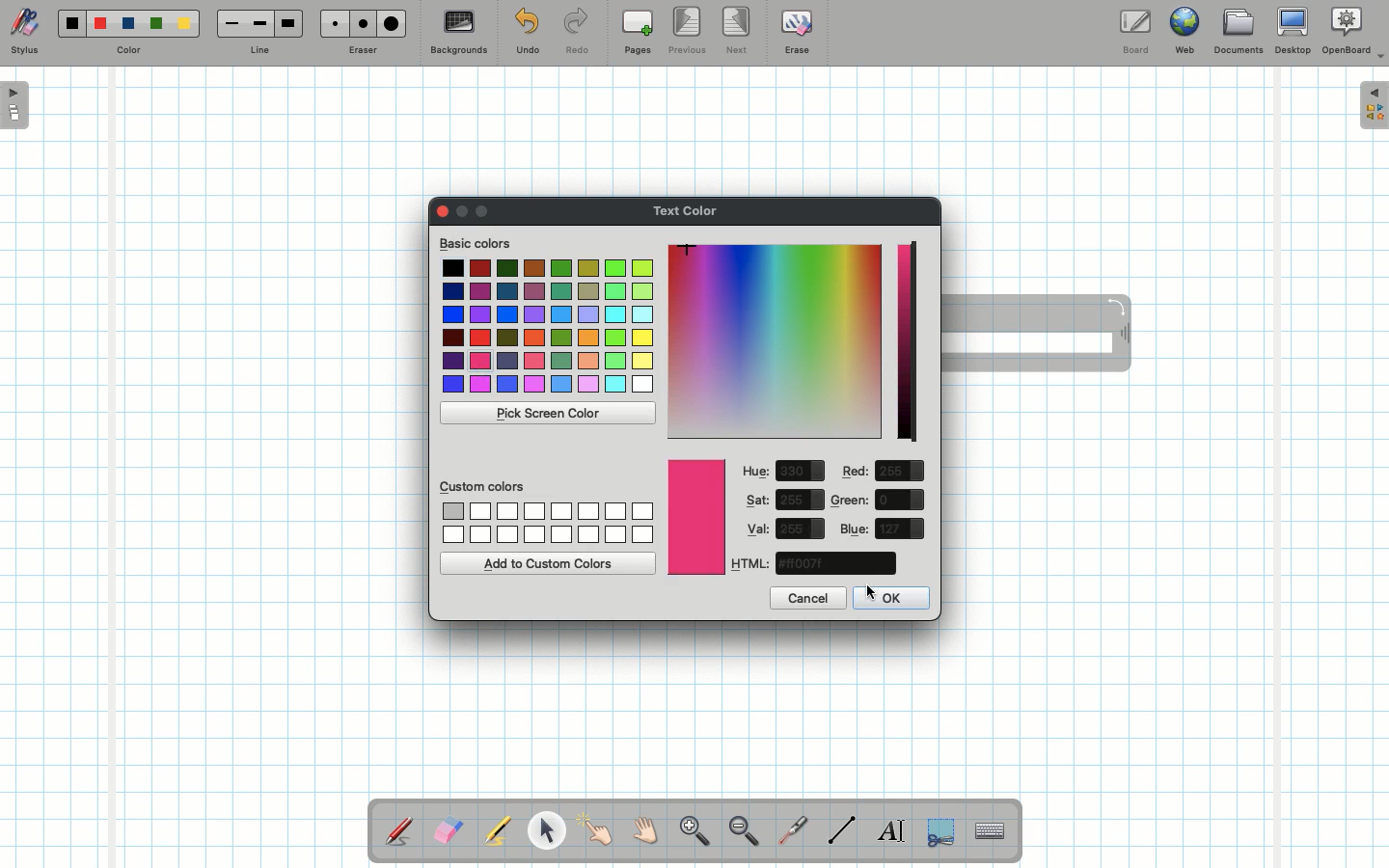 This screenshot has height=868, width=1389. Describe the element at coordinates (751, 563) in the screenshot. I see `HTML` at that location.